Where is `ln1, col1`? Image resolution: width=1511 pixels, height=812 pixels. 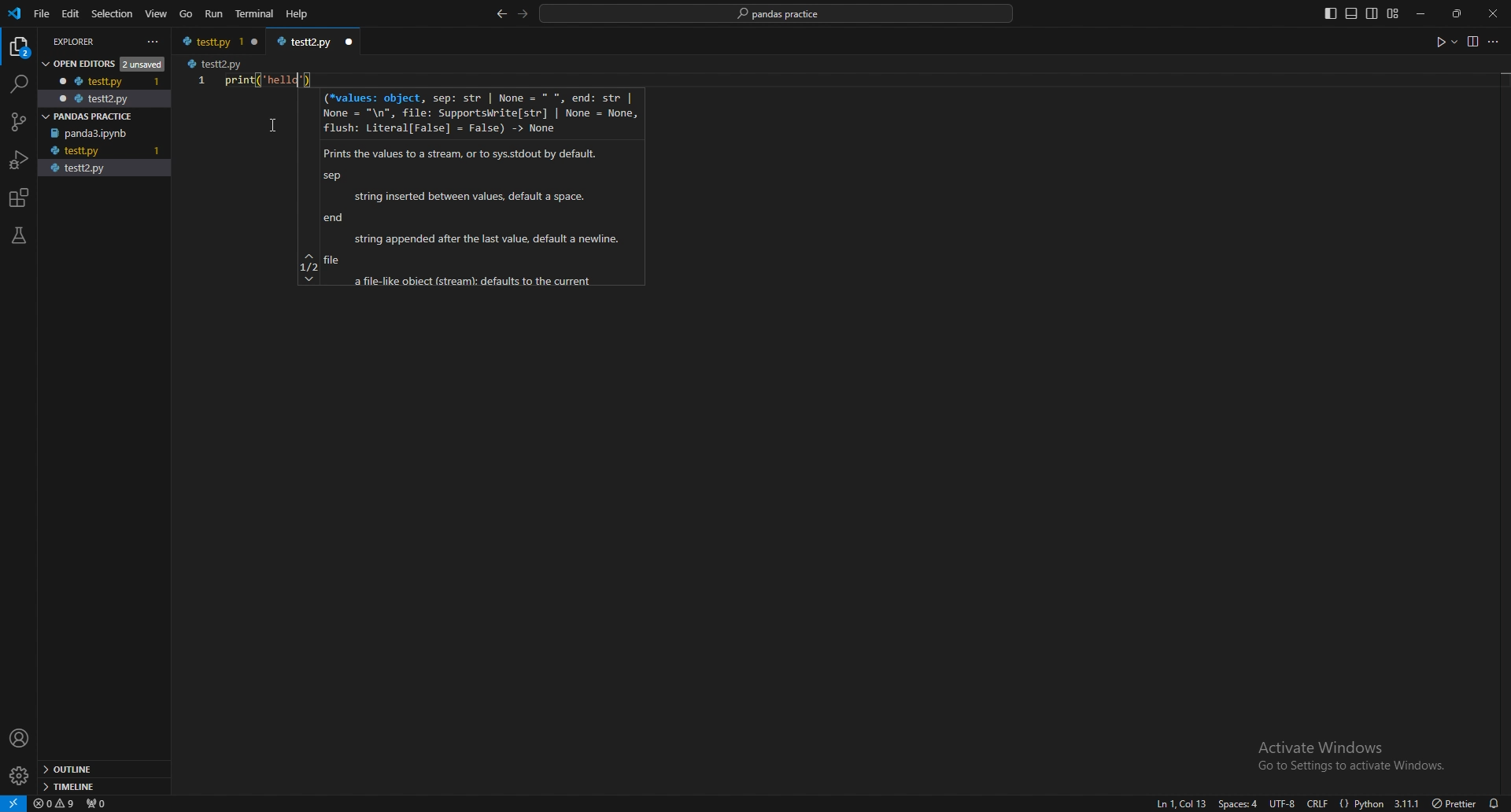 ln1, col1 is located at coordinates (1177, 804).